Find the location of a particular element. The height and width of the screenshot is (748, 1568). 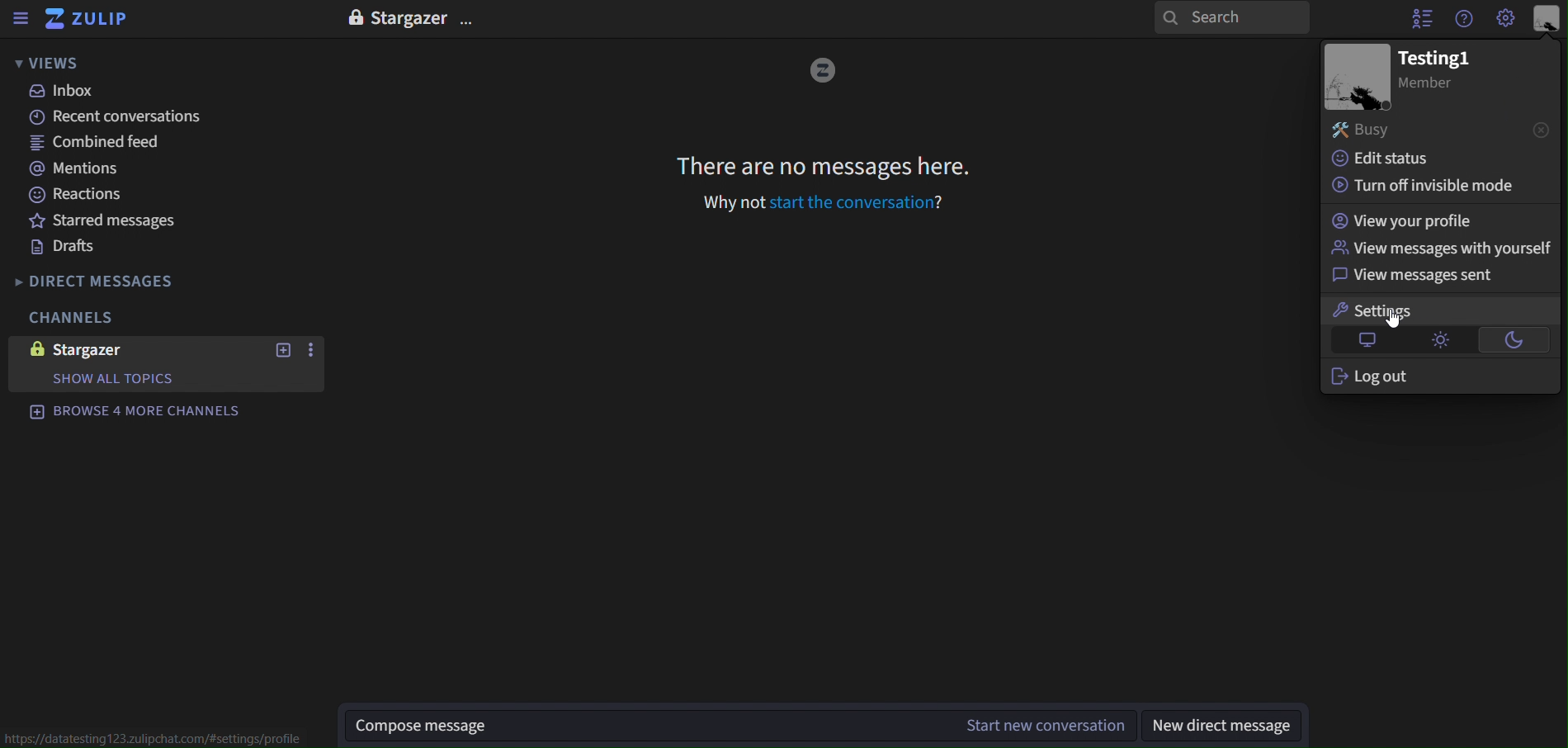

There are no messages here. is located at coordinates (827, 166).